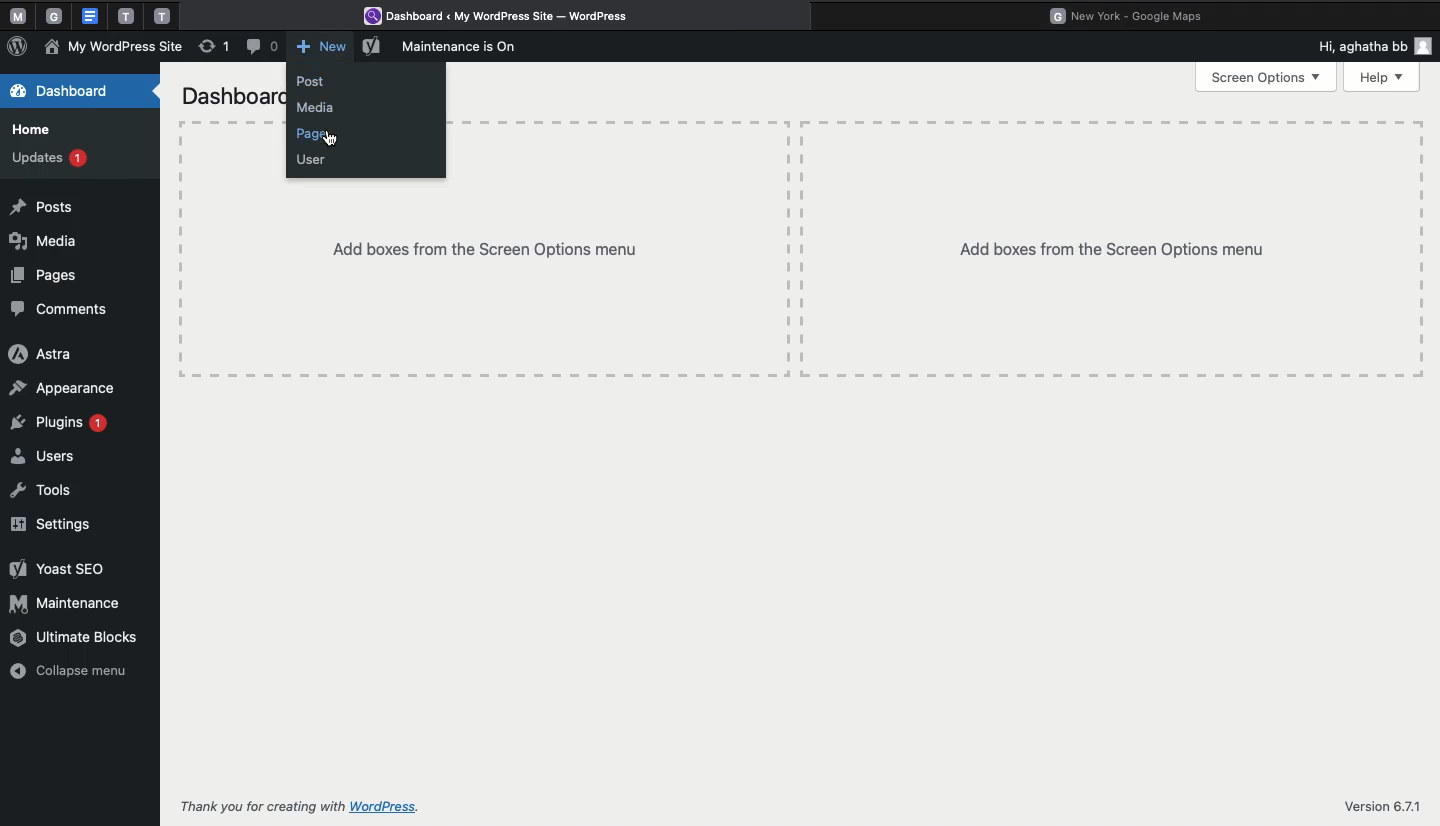  What do you see at coordinates (1383, 77) in the screenshot?
I see `Help` at bounding box center [1383, 77].